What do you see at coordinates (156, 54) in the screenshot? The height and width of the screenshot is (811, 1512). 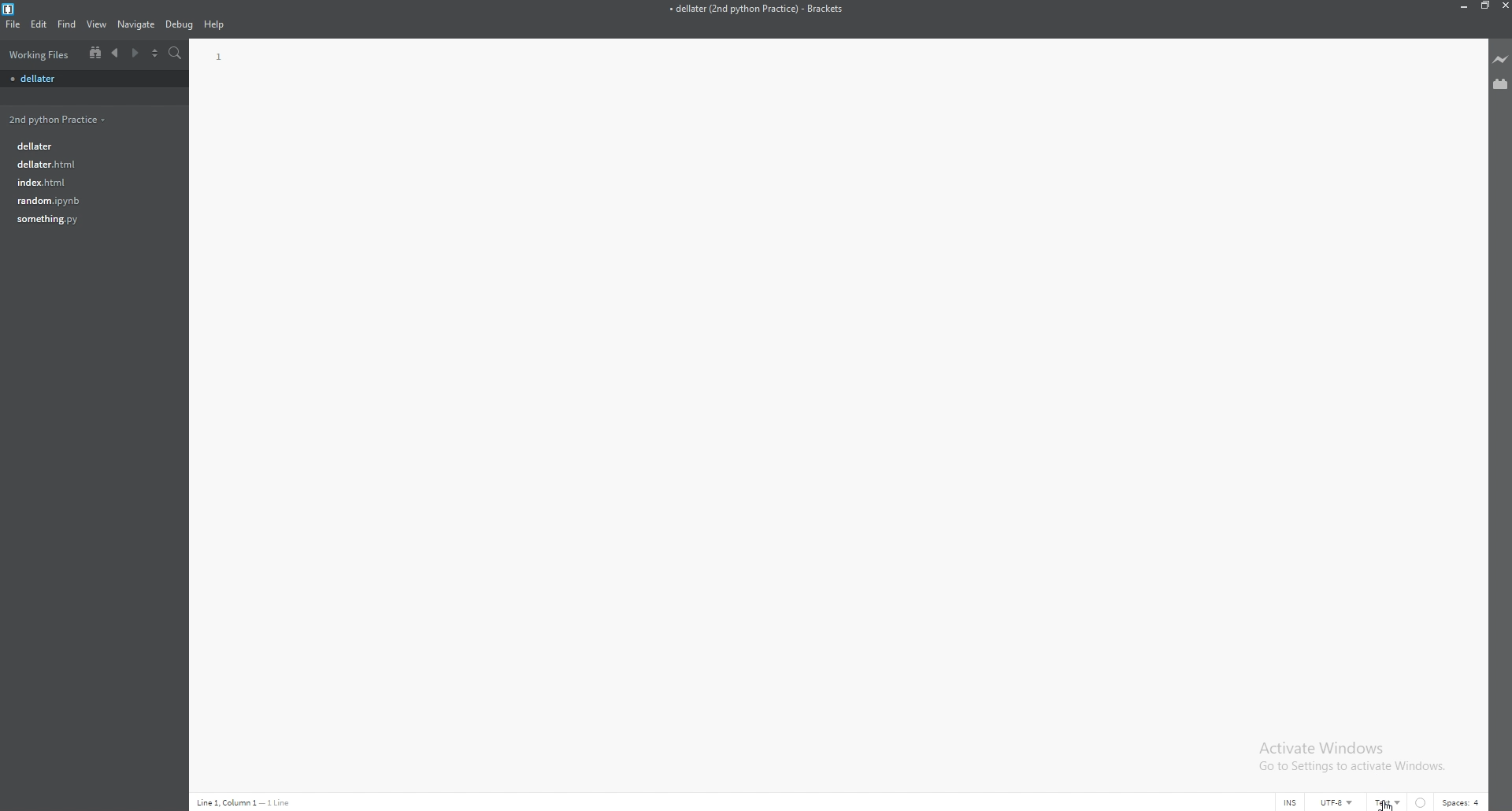 I see `split` at bounding box center [156, 54].